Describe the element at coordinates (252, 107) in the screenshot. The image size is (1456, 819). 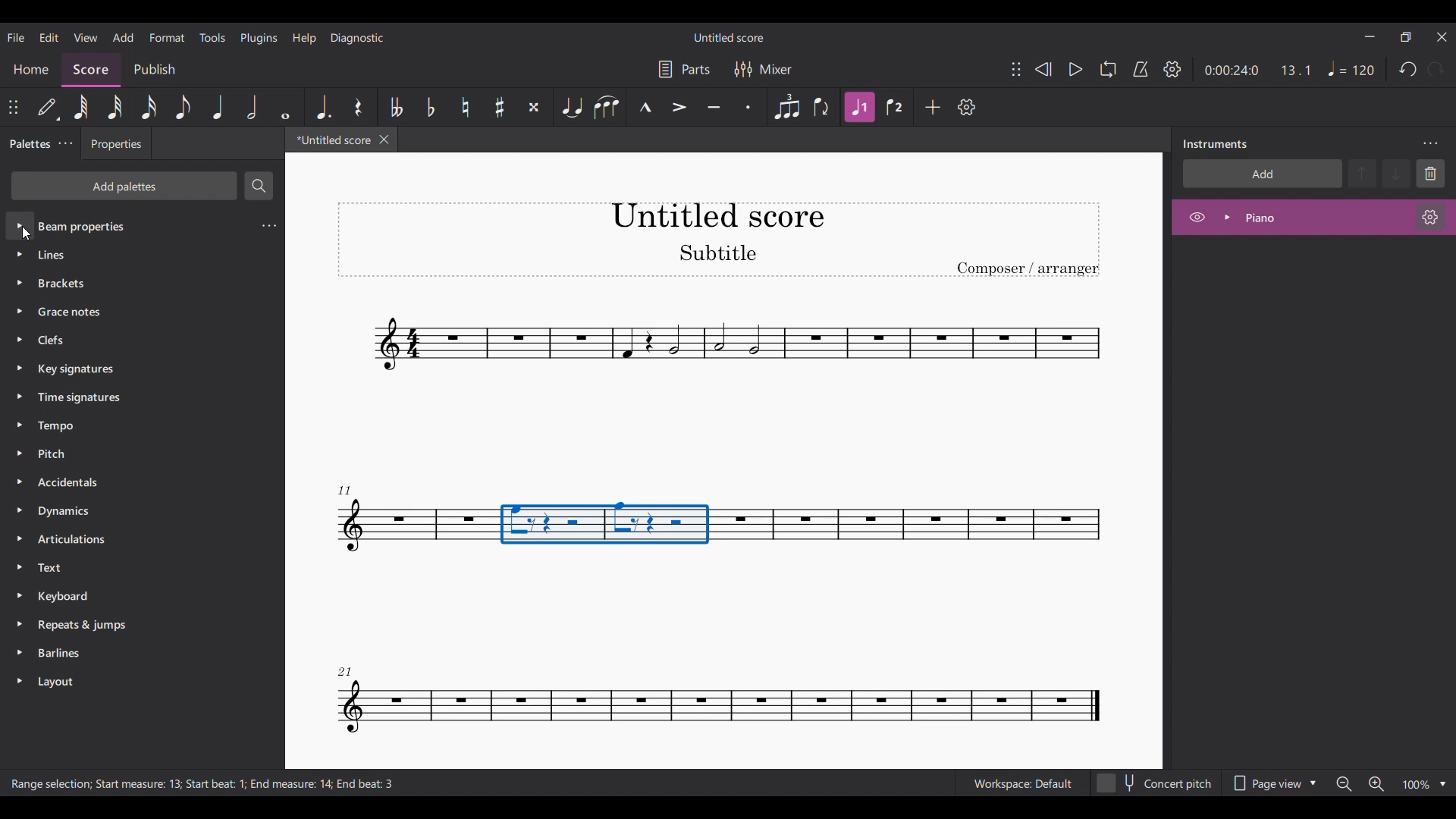
I see `Half note` at that location.